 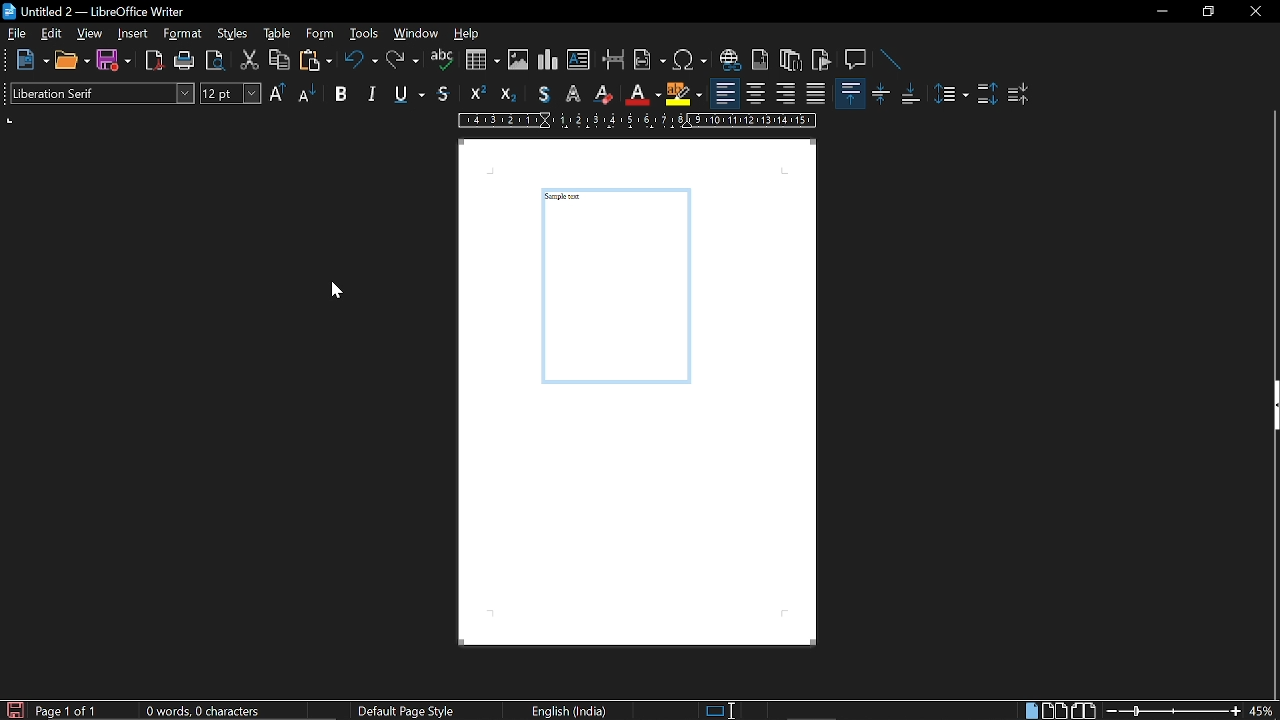 What do you see at coordinates (1272, 242) in the screenshot?
I see `vertical scroll bar` at bounding box center [1272, 242].